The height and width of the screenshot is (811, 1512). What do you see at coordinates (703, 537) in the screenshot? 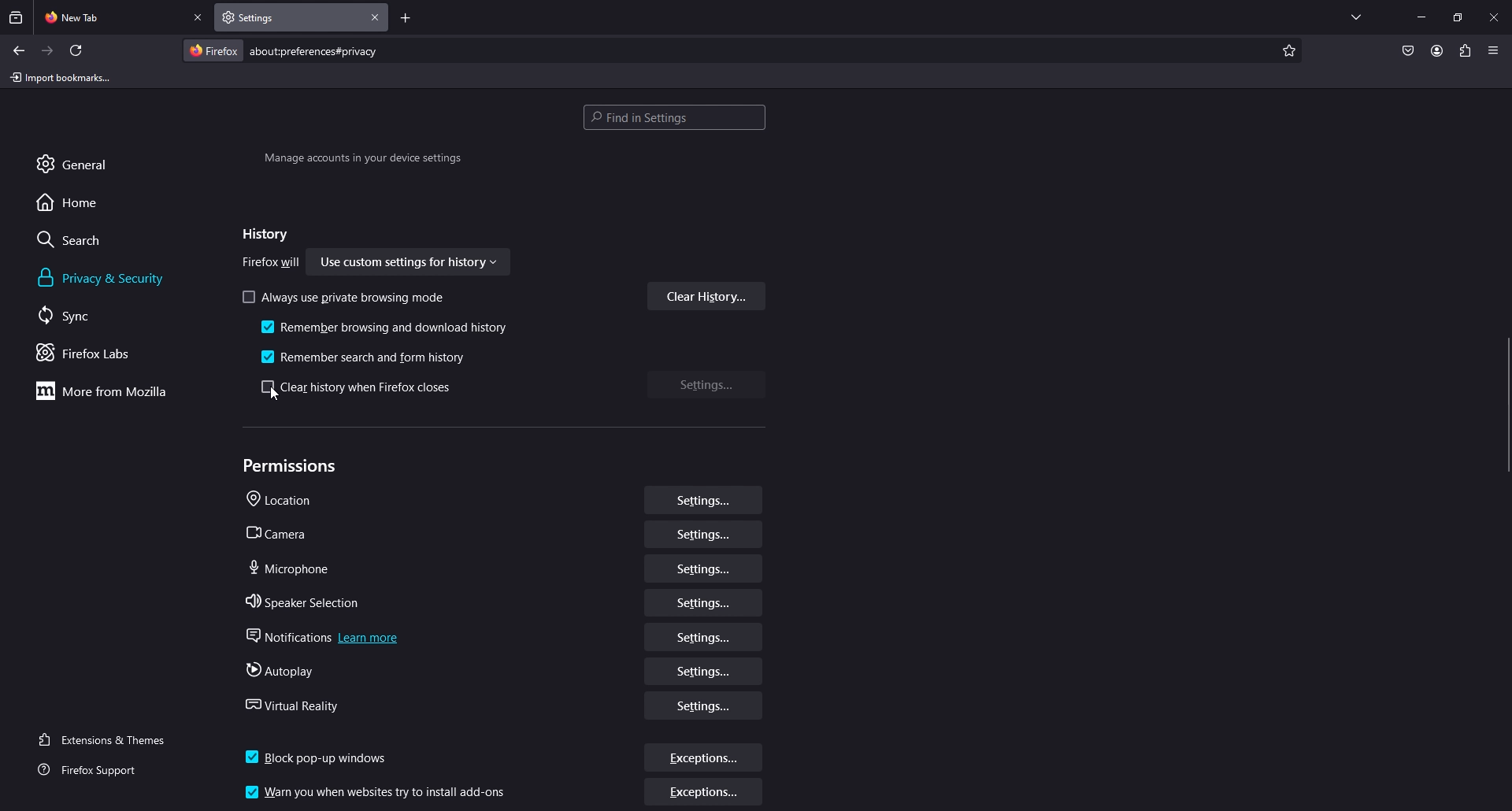
I see `settings` at bounding box center [703, 537].